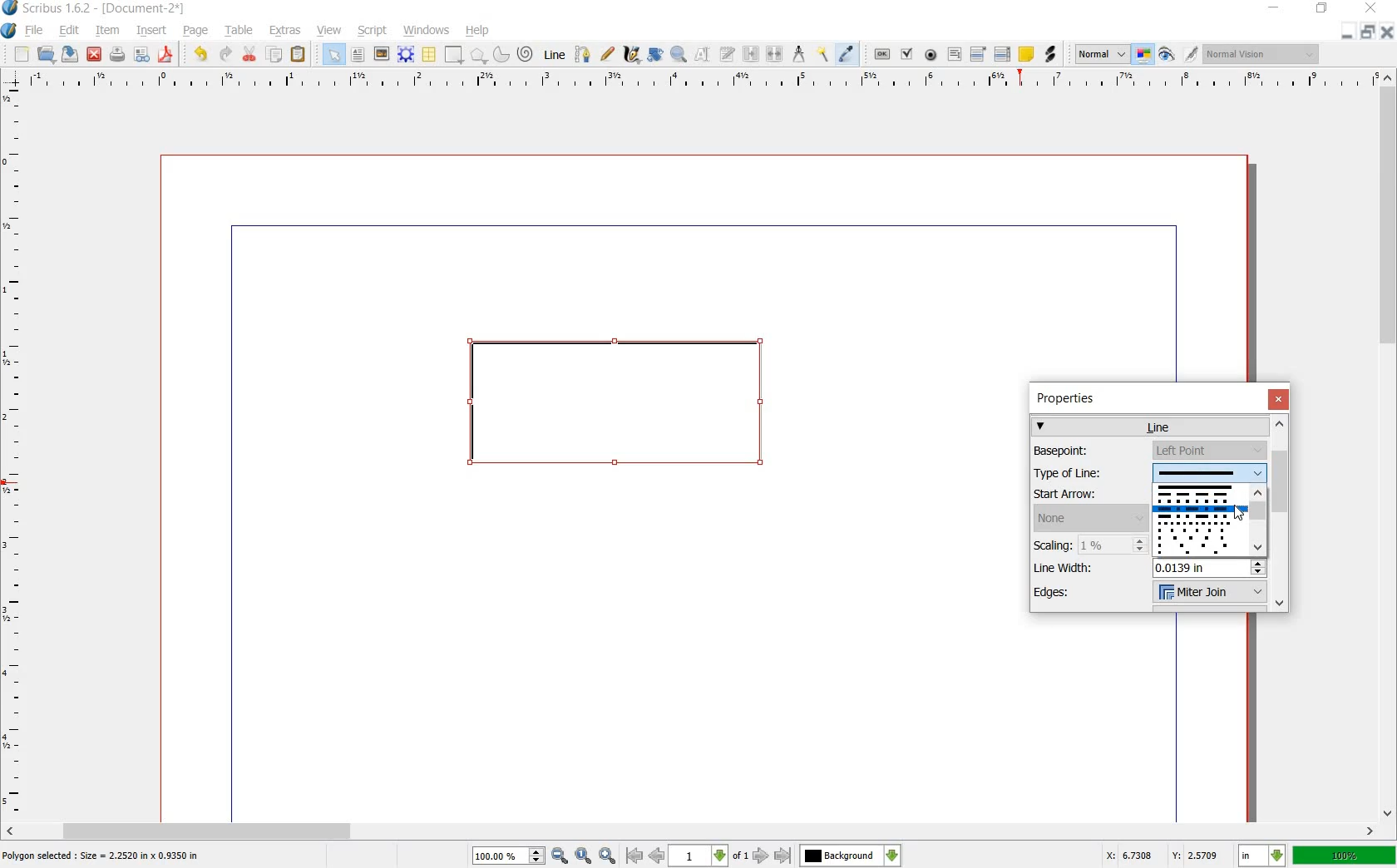 This screenshot has width=1397, height=868. Describe the element at coordinates (405, 55) in the screenshot. I see `RENDER FRAME` at that location.